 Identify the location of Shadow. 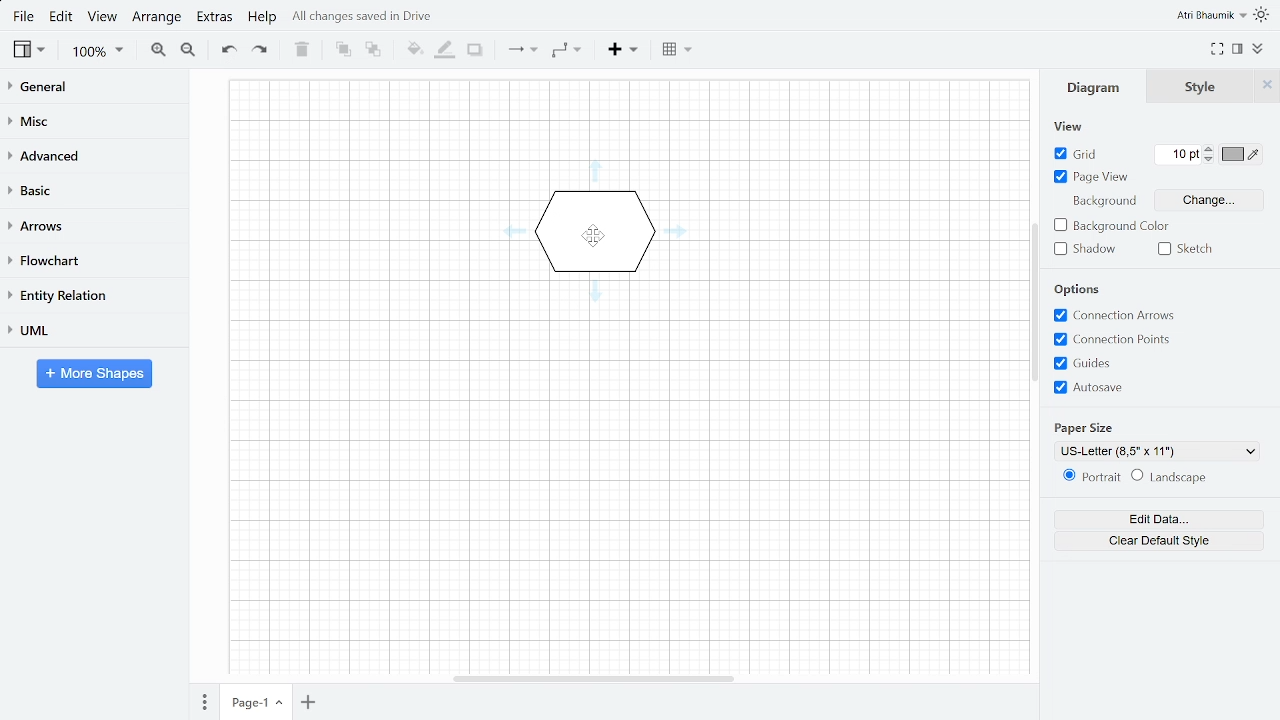
(478, 50).